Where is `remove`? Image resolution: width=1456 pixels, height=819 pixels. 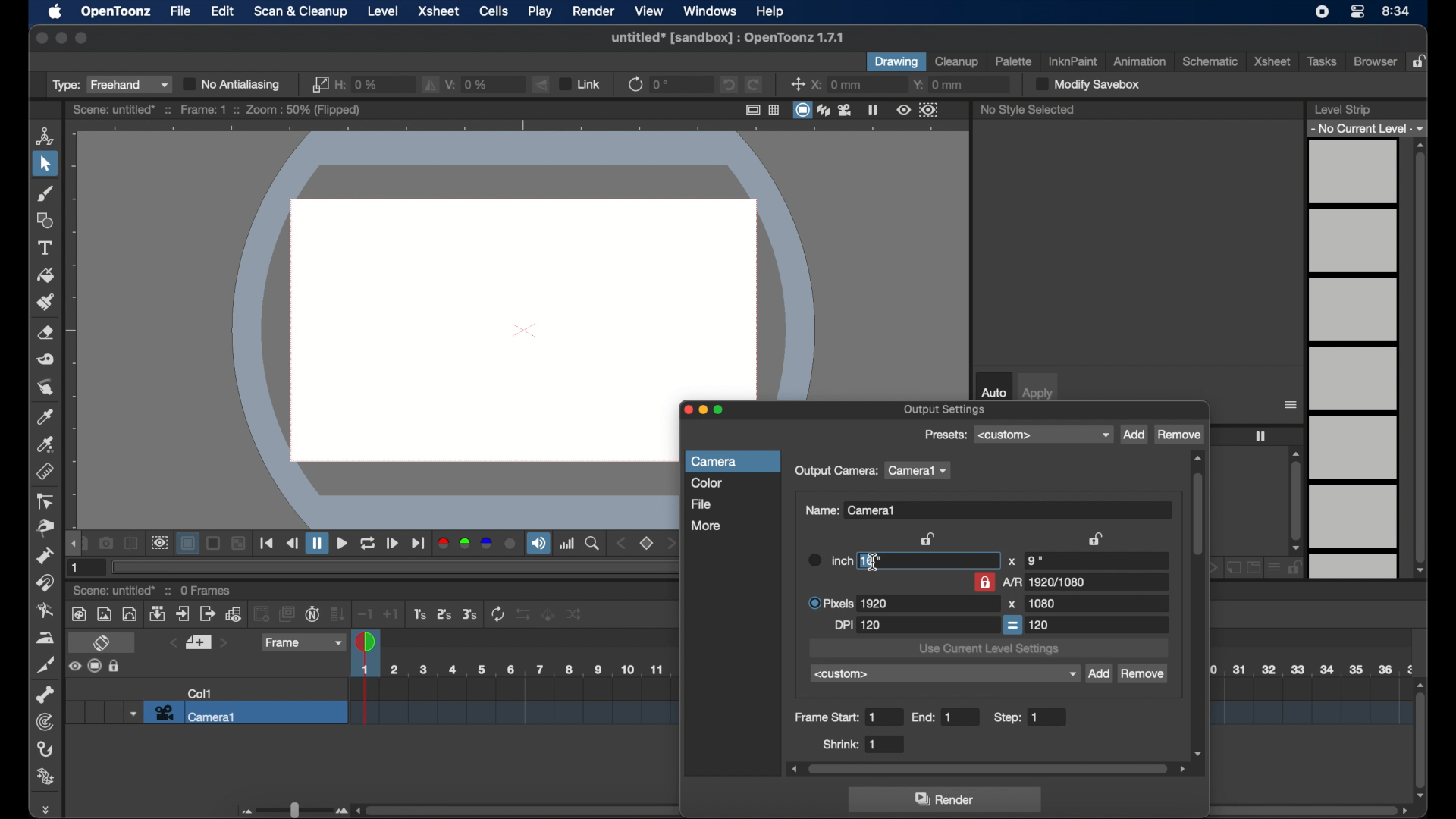
remove is located at coordinates (1144, 675).